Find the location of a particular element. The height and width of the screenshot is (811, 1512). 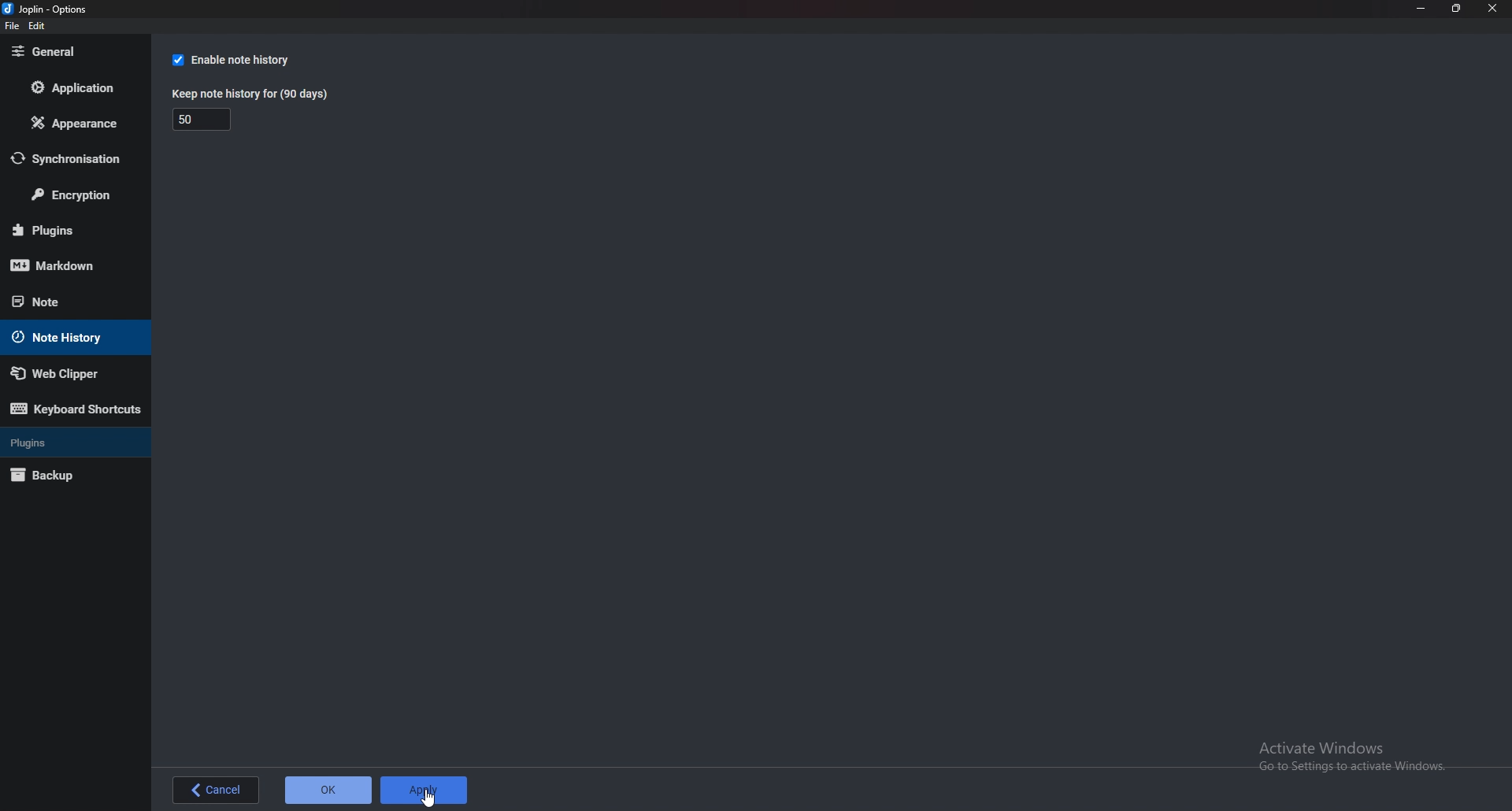

back is located at coordinates (217, 791).